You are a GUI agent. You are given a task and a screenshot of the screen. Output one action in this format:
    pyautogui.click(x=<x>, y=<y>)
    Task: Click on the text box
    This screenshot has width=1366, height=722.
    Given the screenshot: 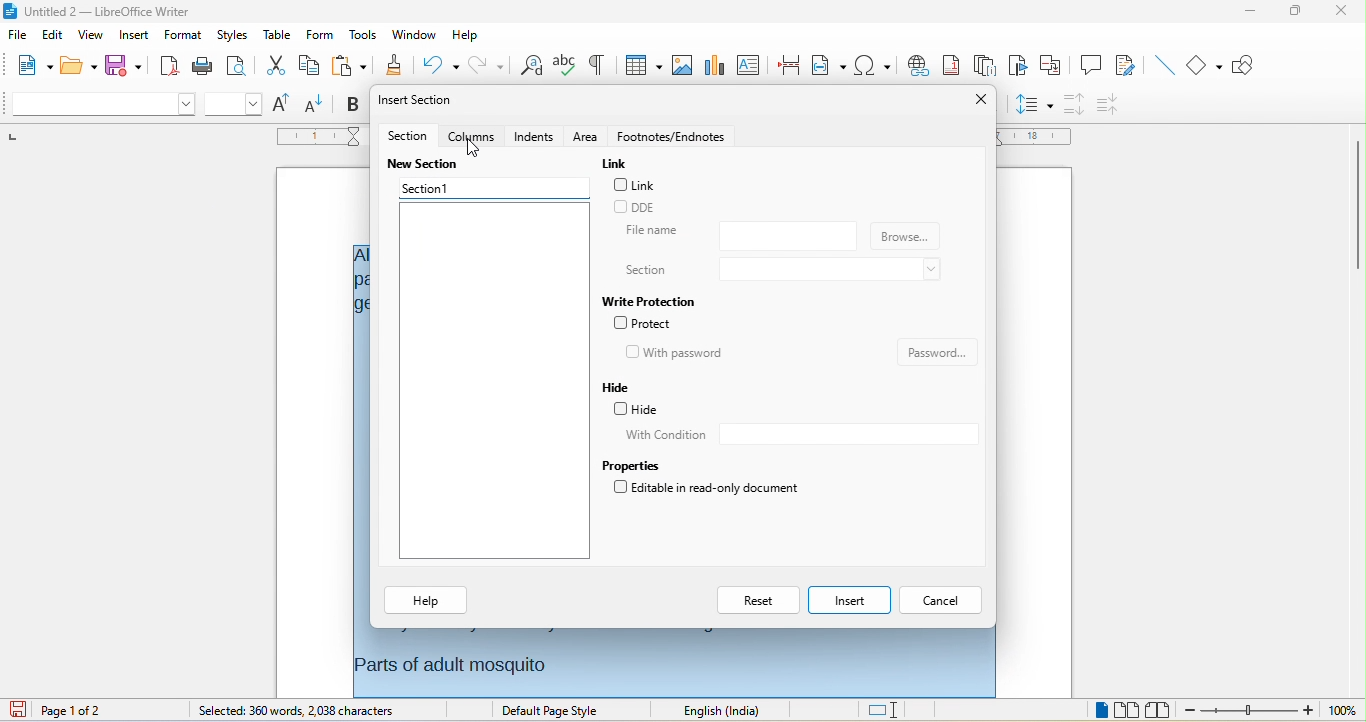 What is the action you would take?
    pyautogui.click(x=749, y=63)
    